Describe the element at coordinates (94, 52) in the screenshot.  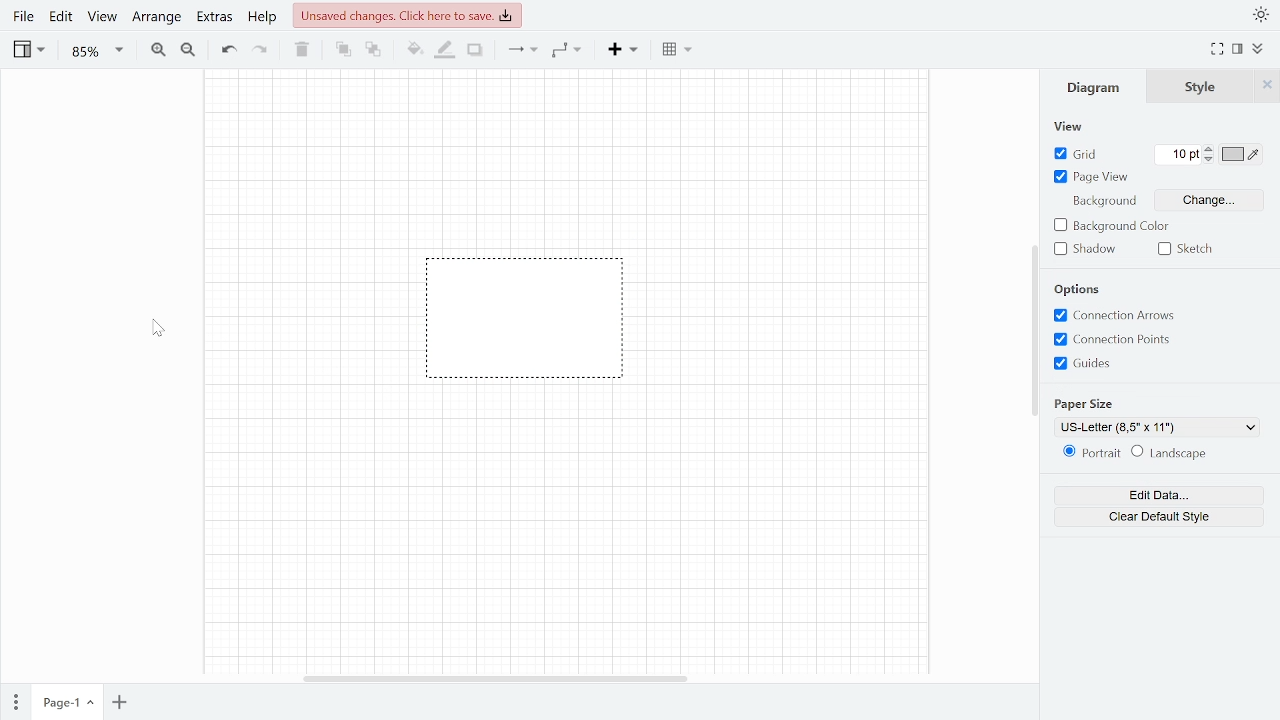
I see `Zoom` at that location.